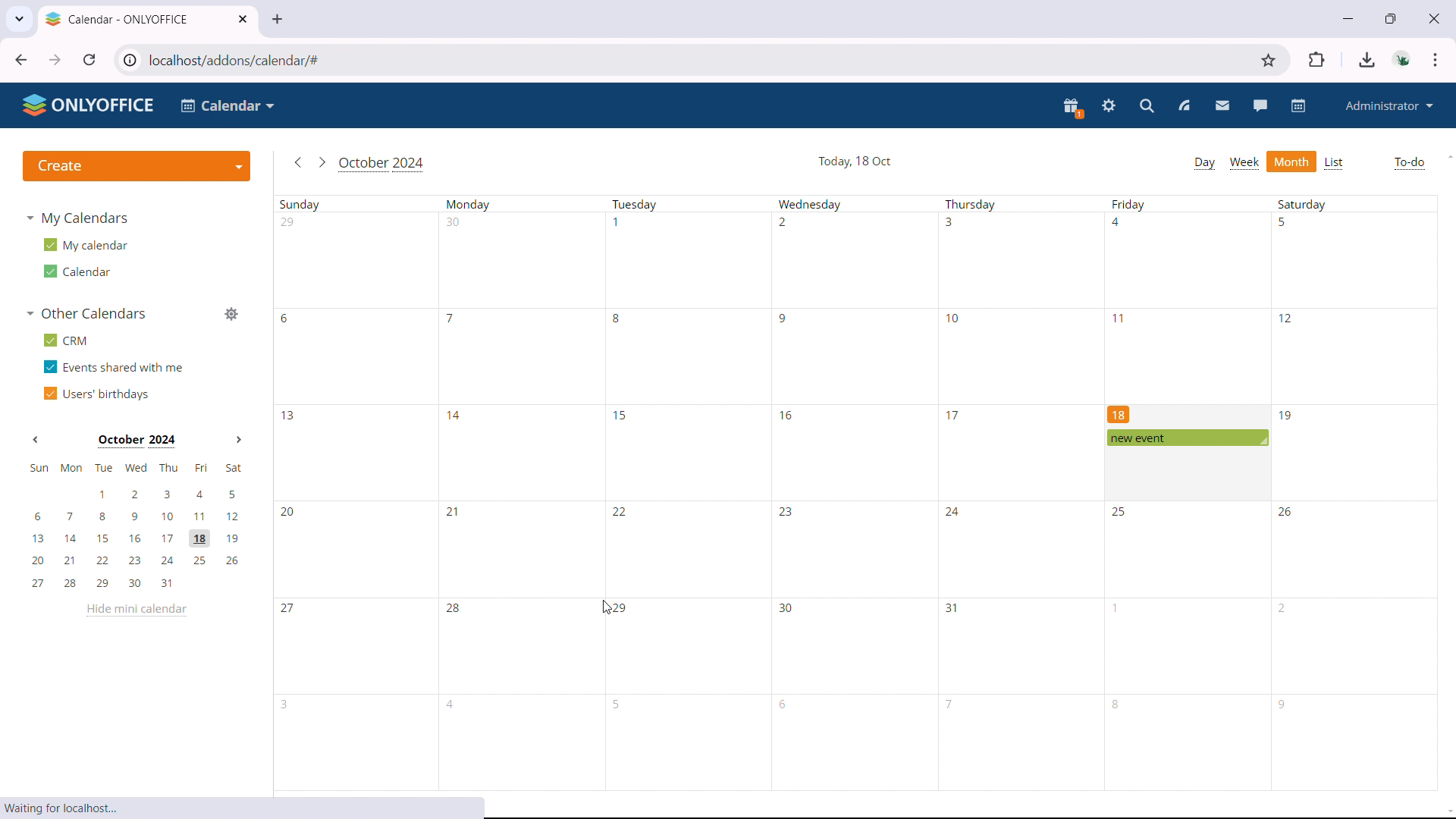  I want to click on 4, so click(453, 704).